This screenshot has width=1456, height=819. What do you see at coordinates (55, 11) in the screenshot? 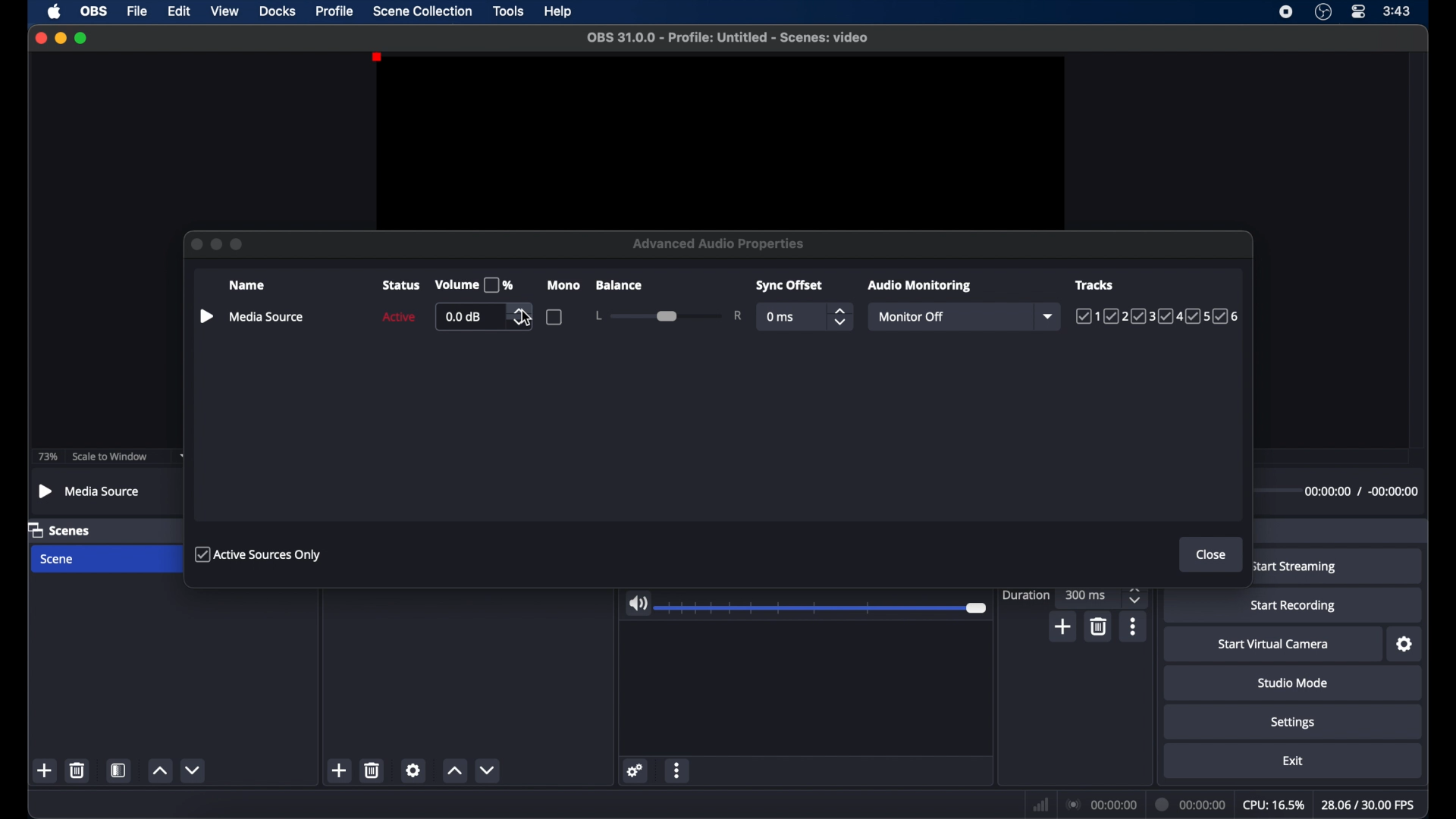
I see `apple icon` at bounding box center [55, 11].